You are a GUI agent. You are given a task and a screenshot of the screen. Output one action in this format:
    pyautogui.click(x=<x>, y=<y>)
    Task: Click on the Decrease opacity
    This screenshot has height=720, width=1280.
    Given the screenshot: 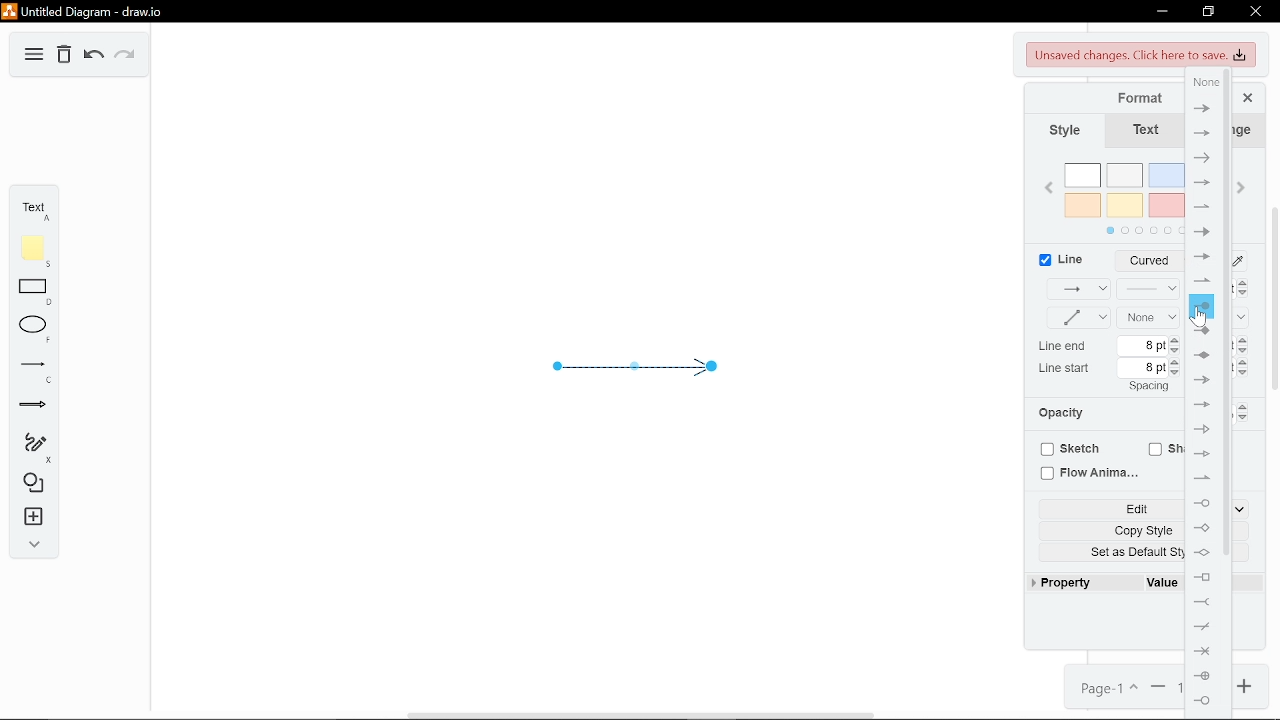 What is the action you would take?
    pyautogui.click(x=1245, y=418)
    